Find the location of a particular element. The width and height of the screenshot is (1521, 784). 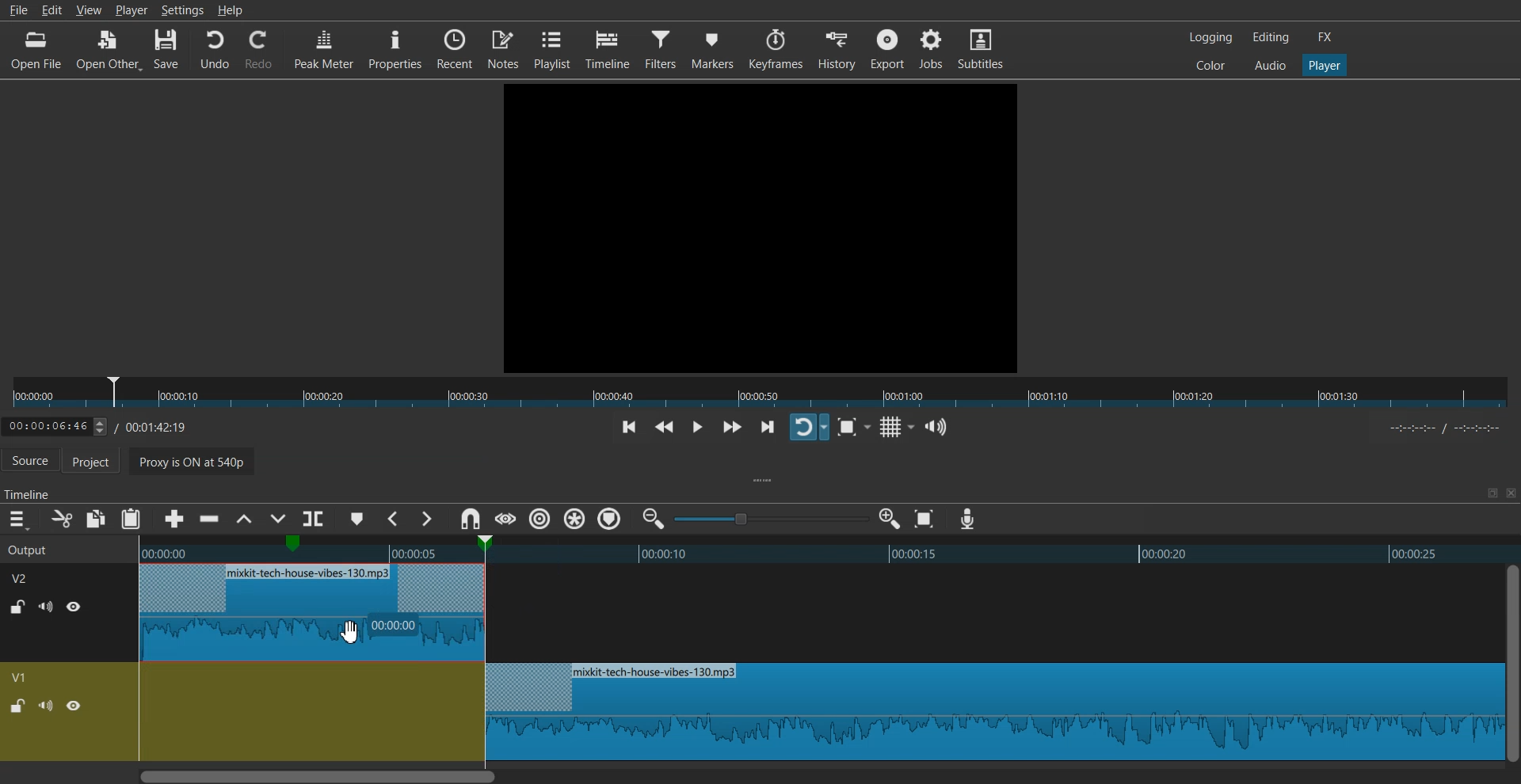

Skip to previous point is located at coordinates (629, 428).